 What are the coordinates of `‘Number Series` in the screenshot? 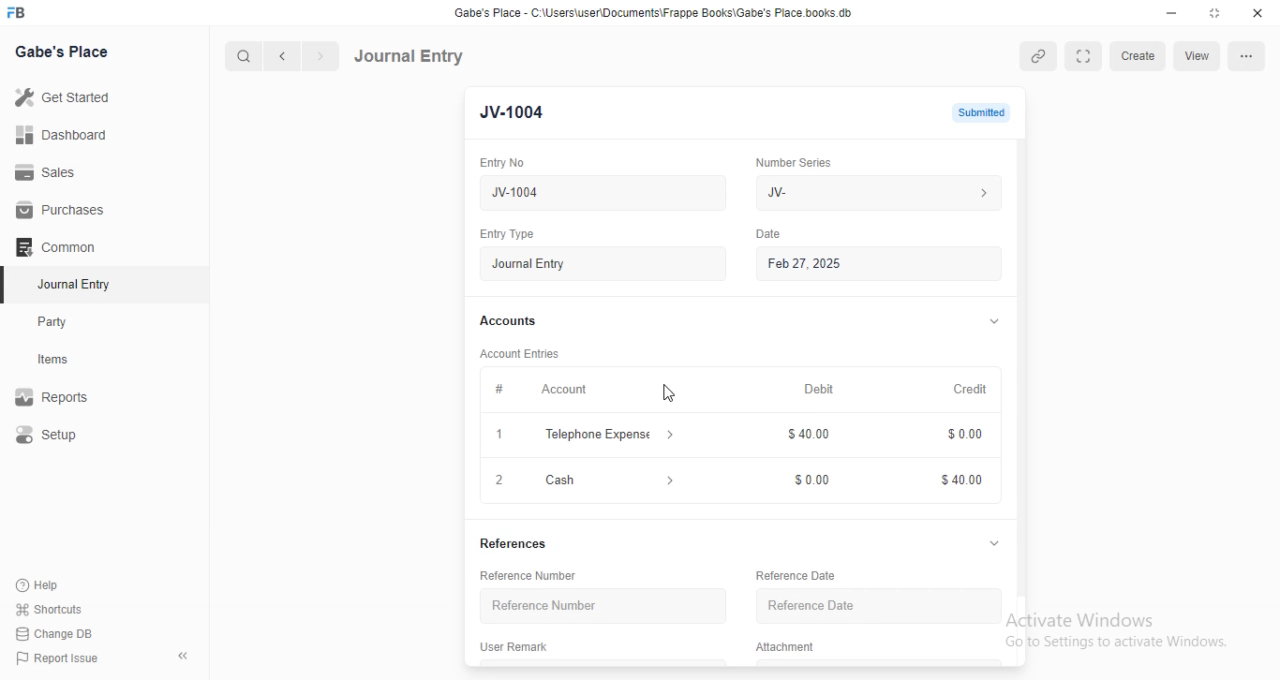 It's located at (794, 162).